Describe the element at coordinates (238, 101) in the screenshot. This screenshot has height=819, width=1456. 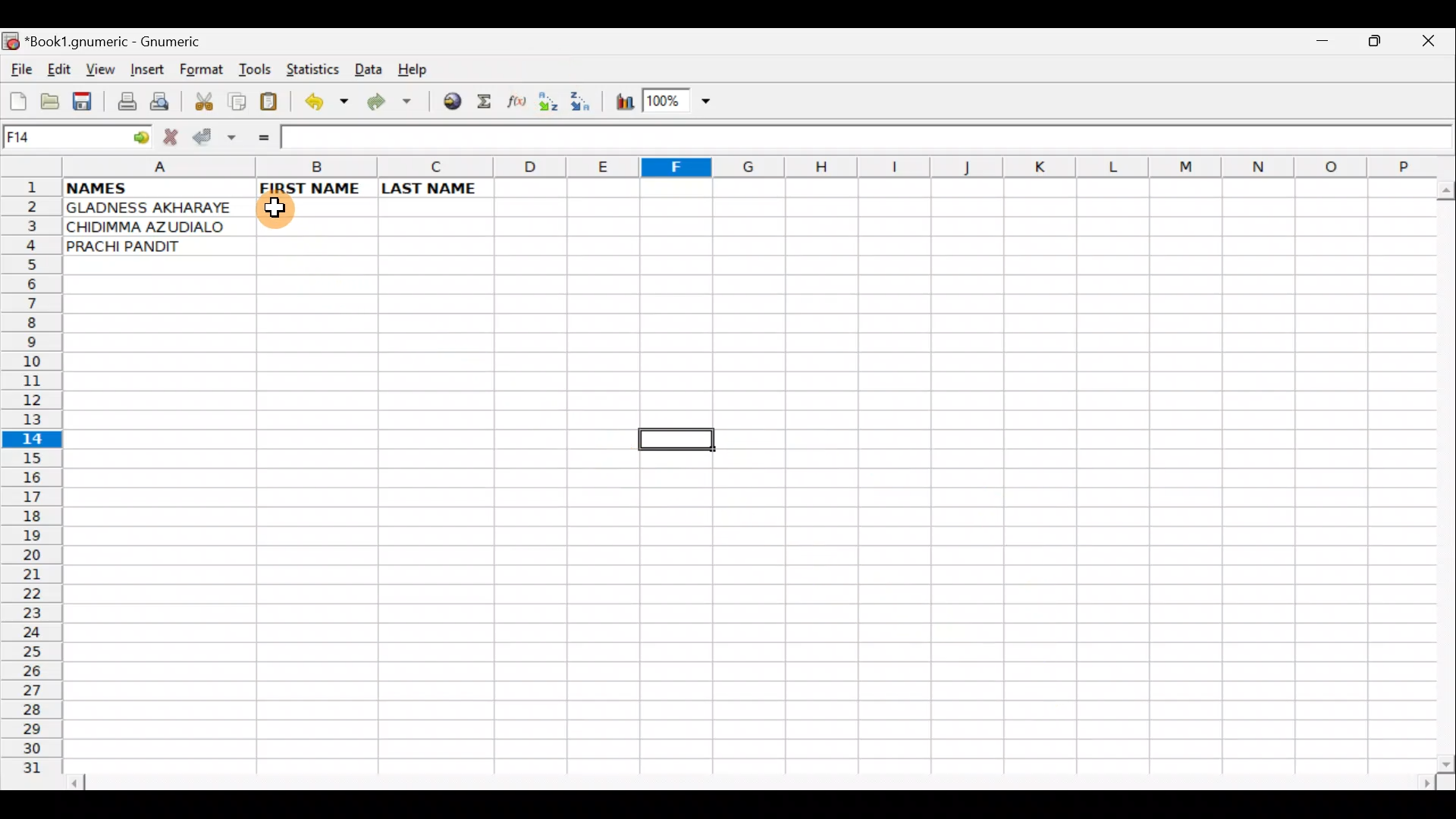
I see `Copy selection` at that location.